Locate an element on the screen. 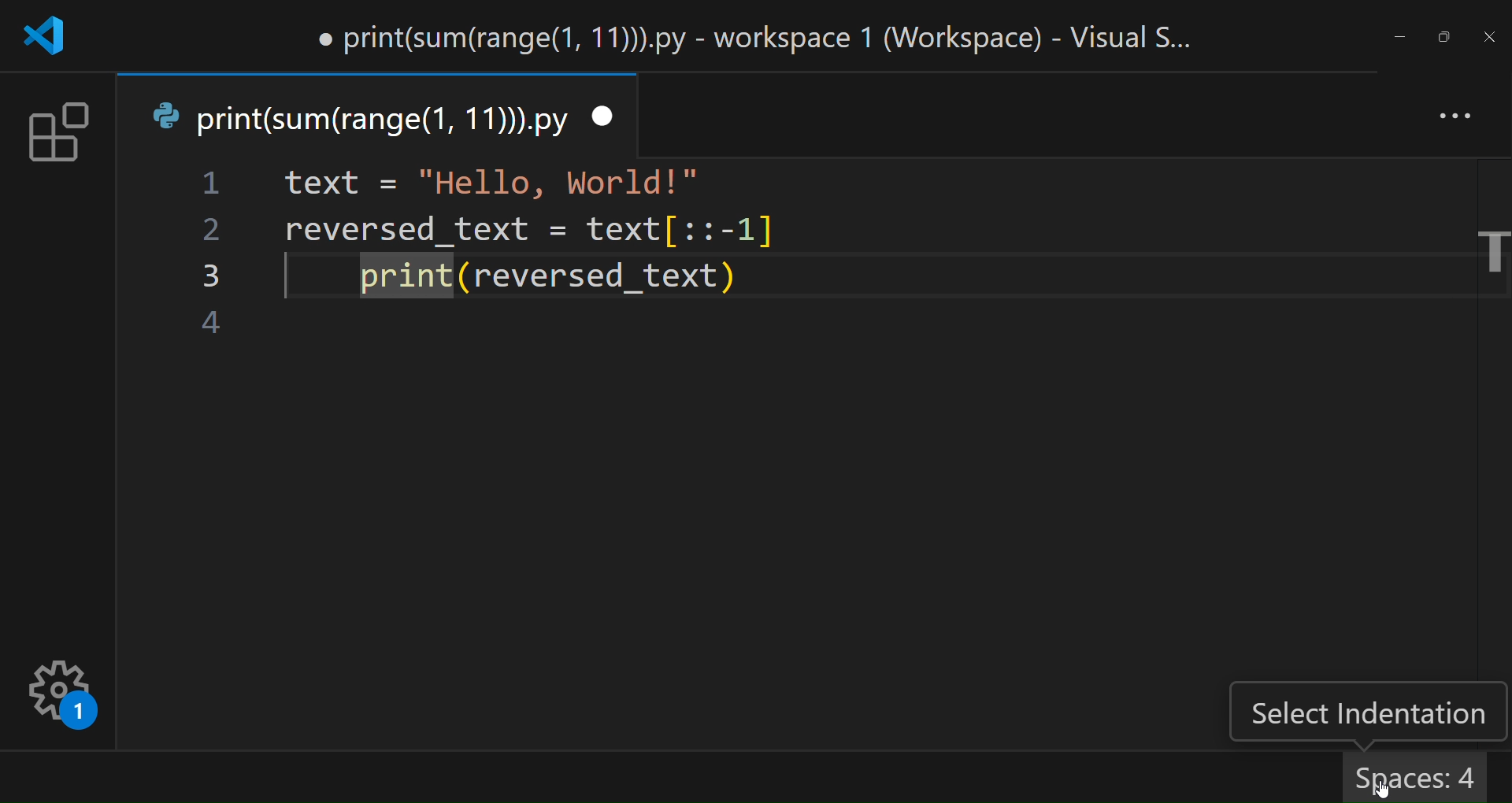 Image resolution: width=1512 pixels, height=803 pixels. close tab is located at coordinates (613, 113).